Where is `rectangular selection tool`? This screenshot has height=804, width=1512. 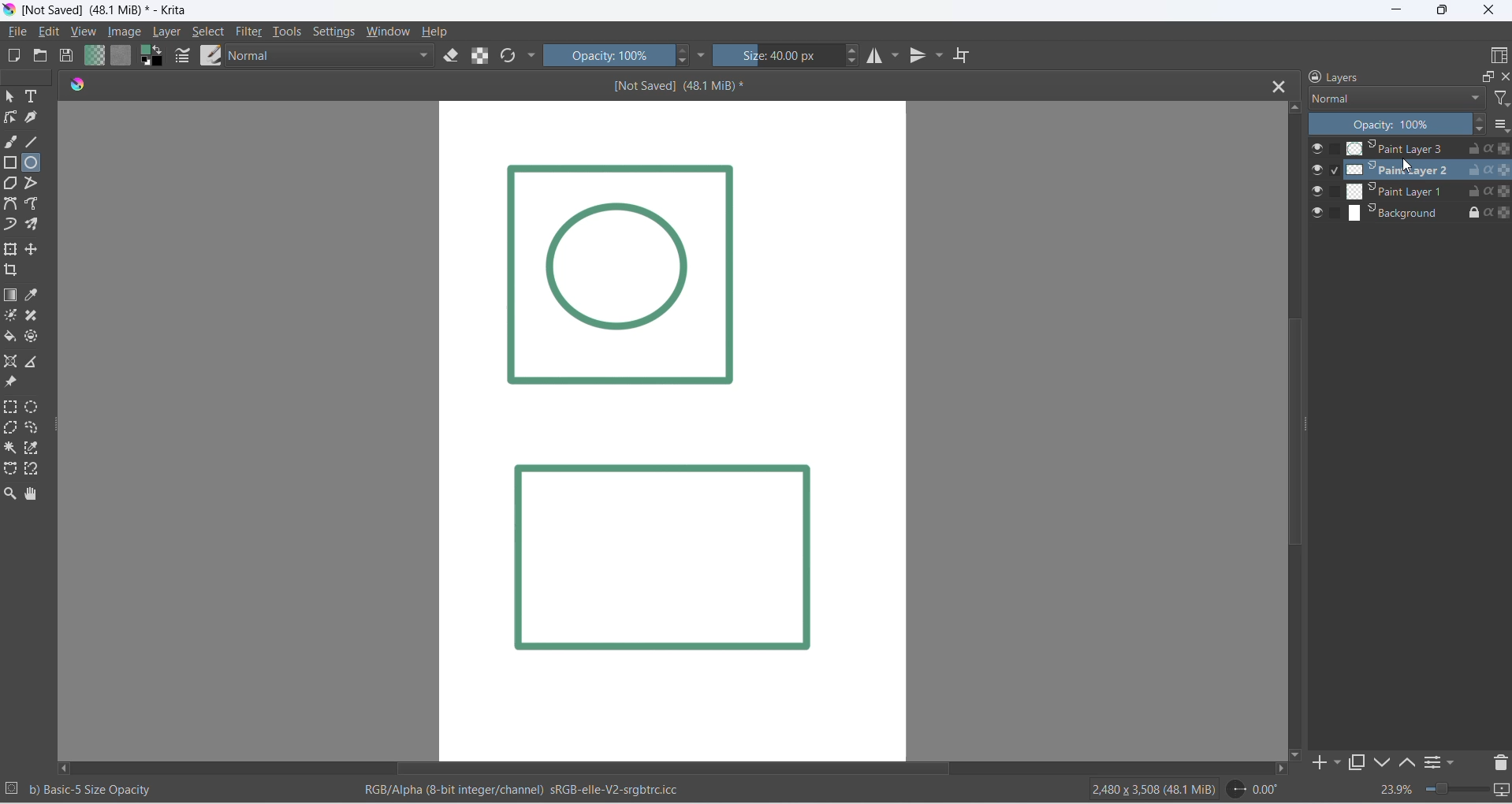 rectangular selection tool is located at coordinates (10, 408).